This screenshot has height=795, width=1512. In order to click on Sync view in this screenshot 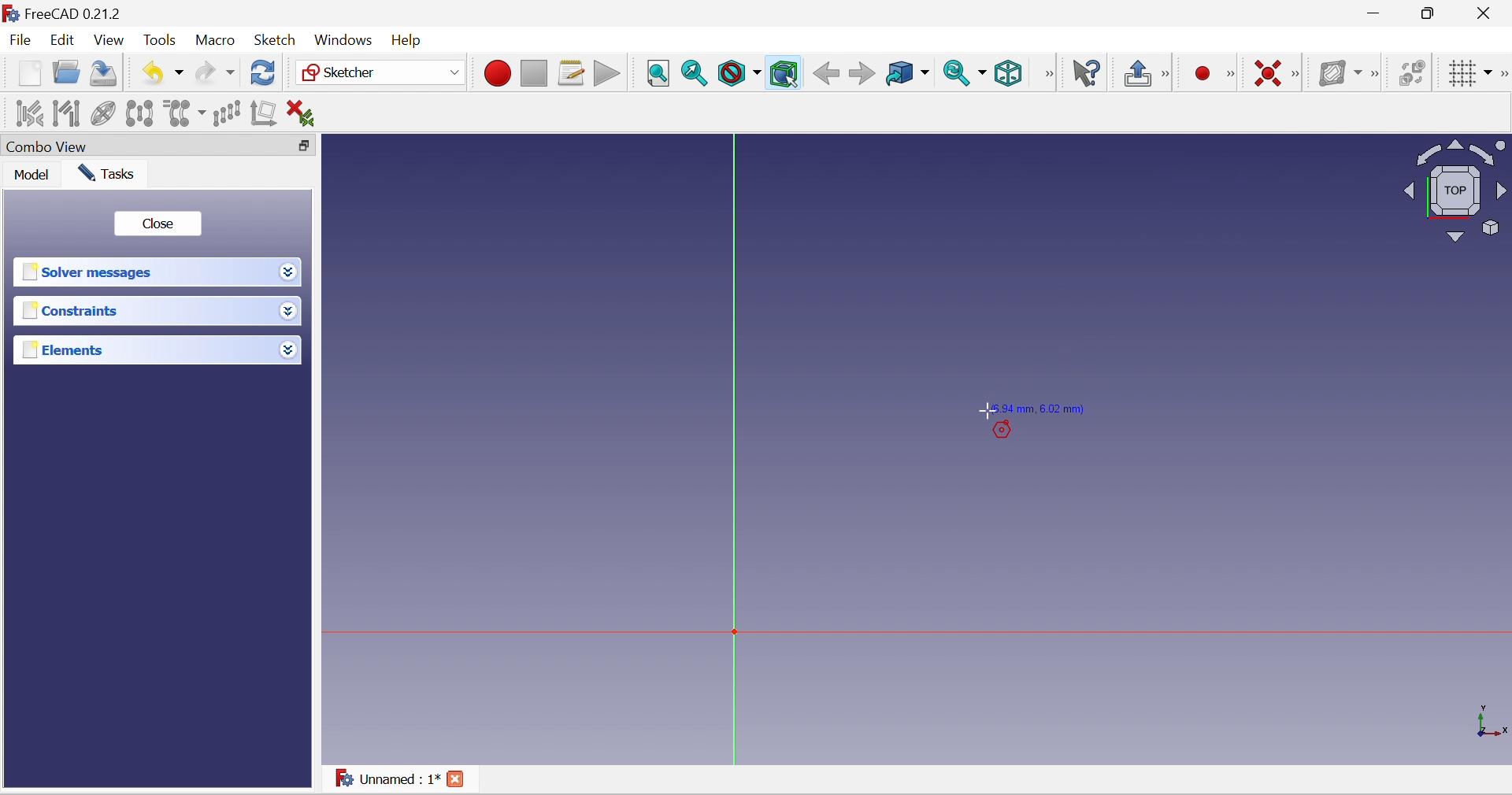, I will do `click(966, 74)`.